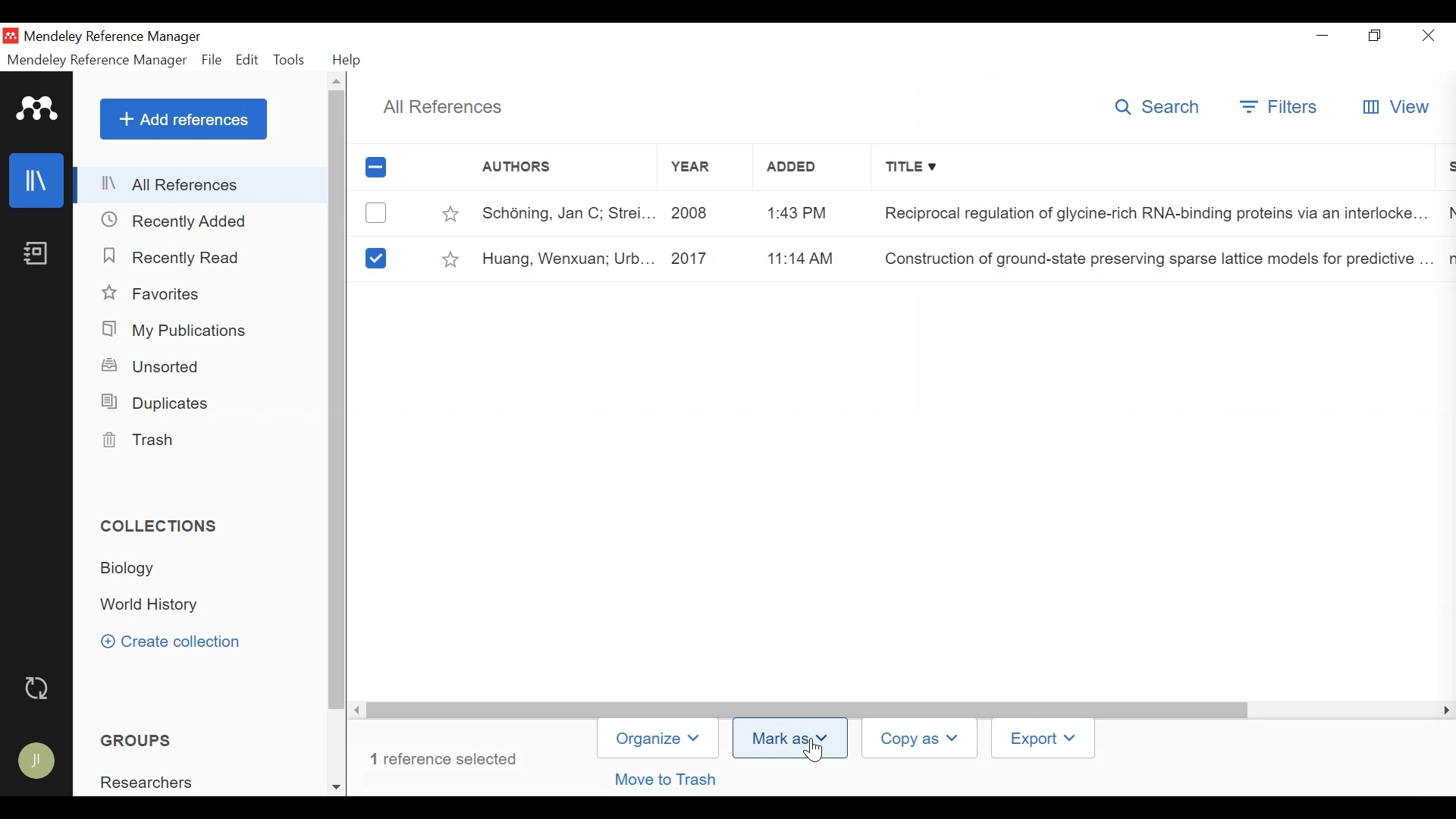 The width and height of the screenshot is (1456, 819). What do you see at coordinates (163, 526) in the screenshot?
I see `Collection` at bounding box center [163, 526].